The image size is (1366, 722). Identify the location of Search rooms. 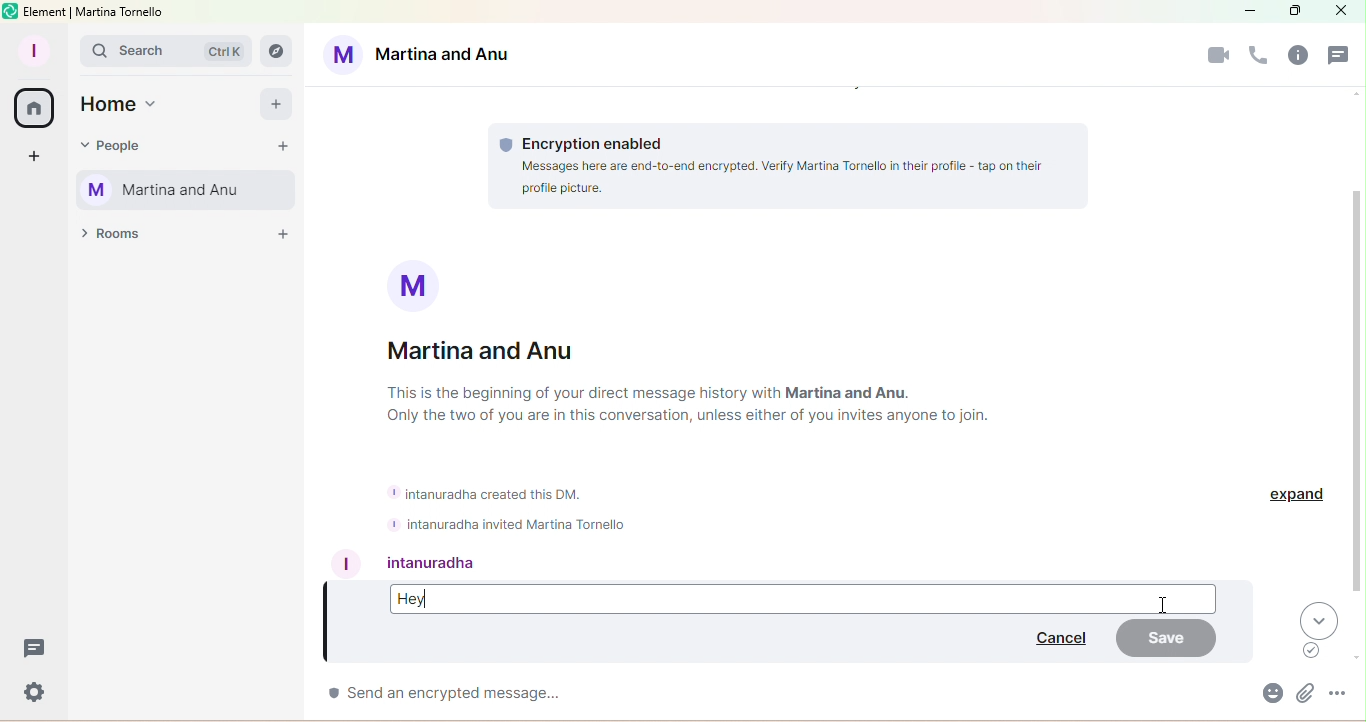
(275, 49).